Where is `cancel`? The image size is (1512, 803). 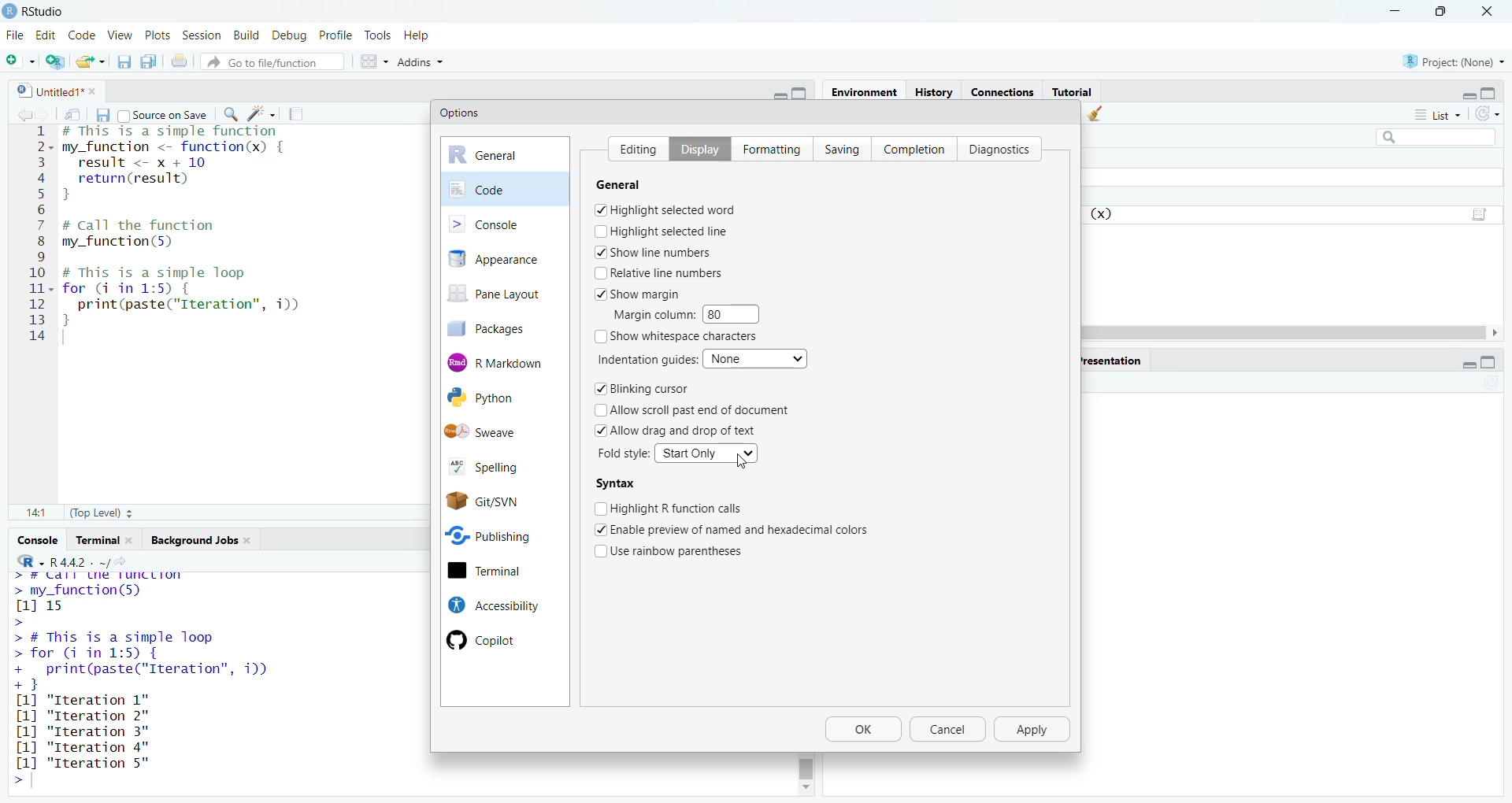
cancel is located at coordinates (950, 731).